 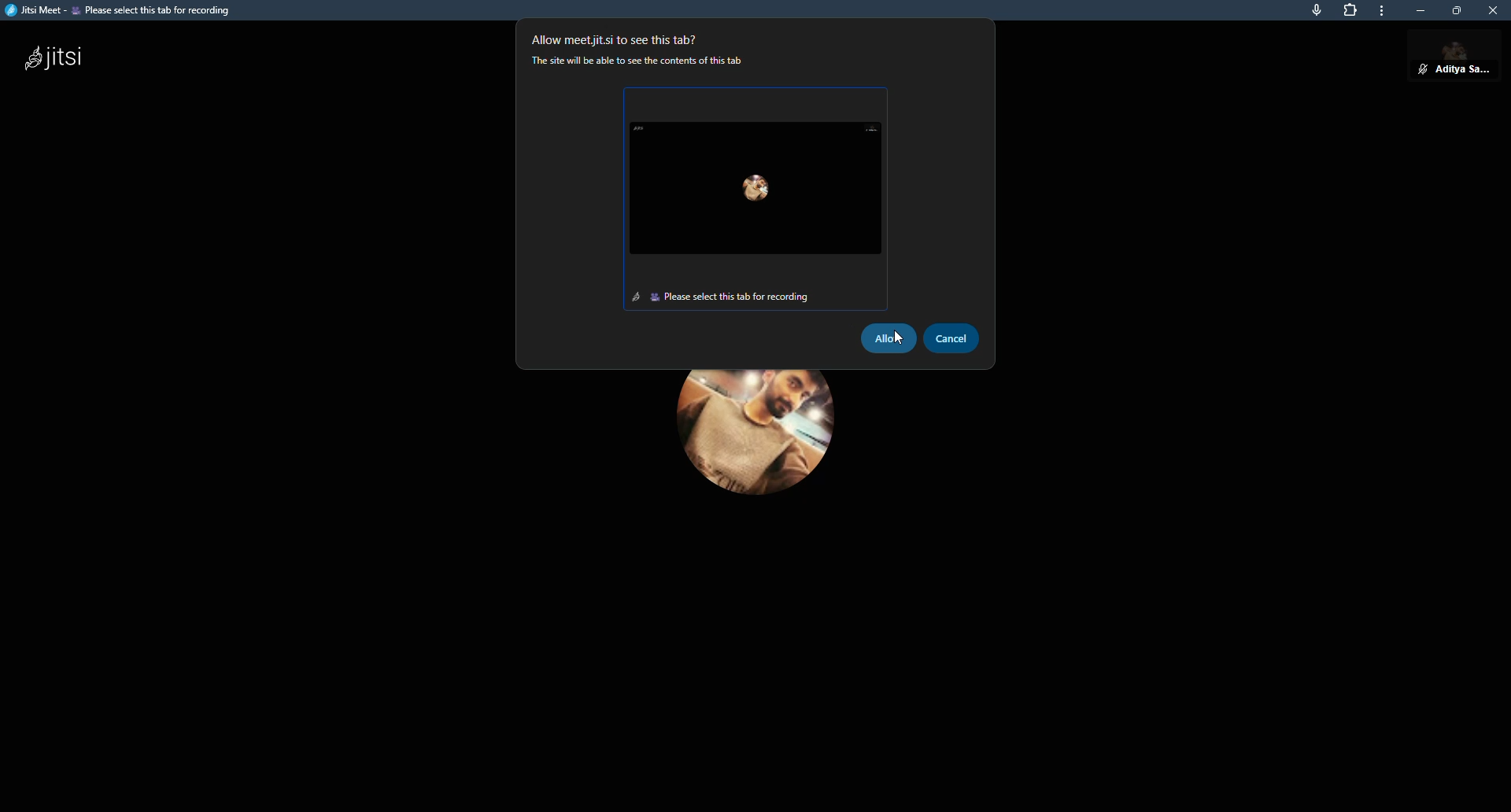 What do you see at coordinates (1420, 9) in the screenshot?
I see `minimize` at bounding box center [1420, 9].